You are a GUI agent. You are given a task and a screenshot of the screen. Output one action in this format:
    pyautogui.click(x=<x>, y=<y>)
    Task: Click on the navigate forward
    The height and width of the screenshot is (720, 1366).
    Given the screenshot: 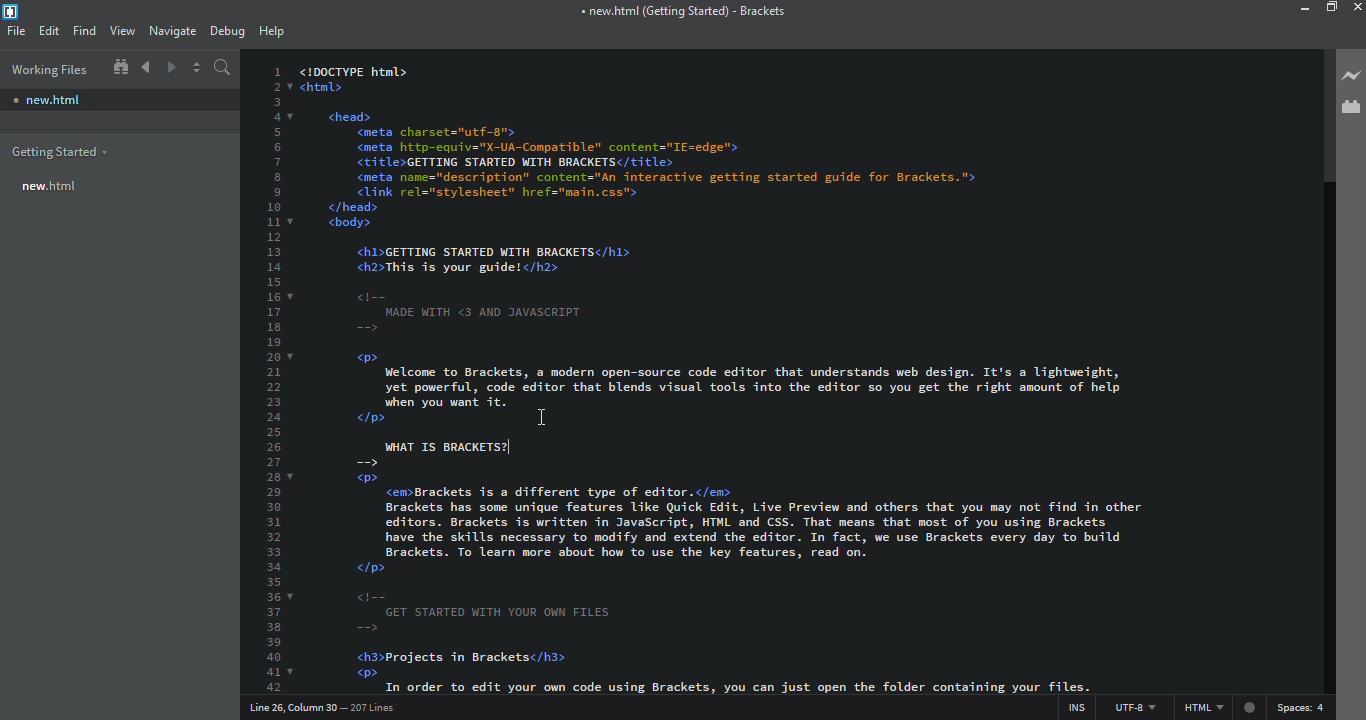 What is the action you would take?
    pyautogui.click(x=173, y=67)
    